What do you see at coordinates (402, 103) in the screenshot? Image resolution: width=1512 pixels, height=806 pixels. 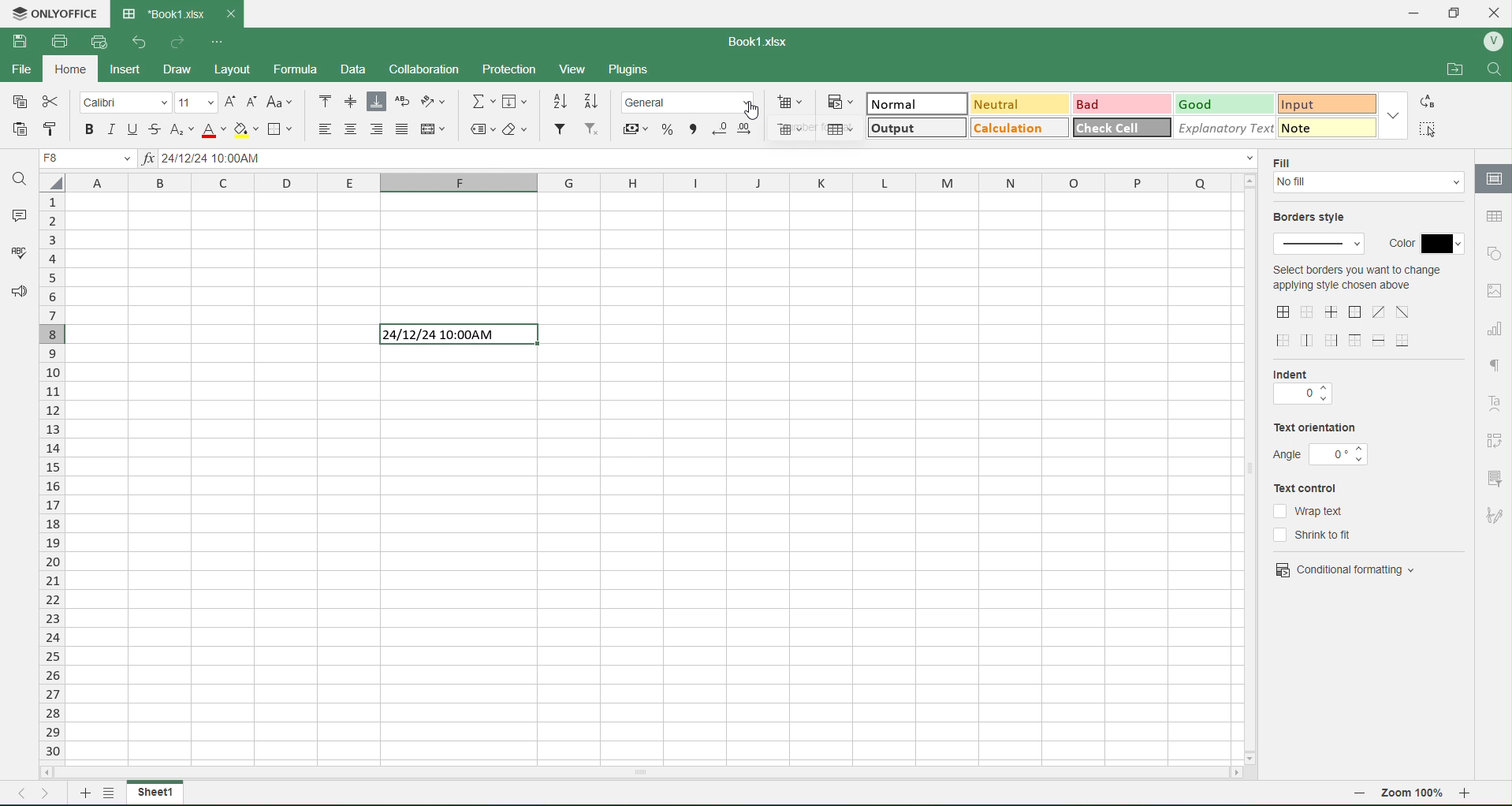 I see `Wrap Text` at bounding box center [402, 103].